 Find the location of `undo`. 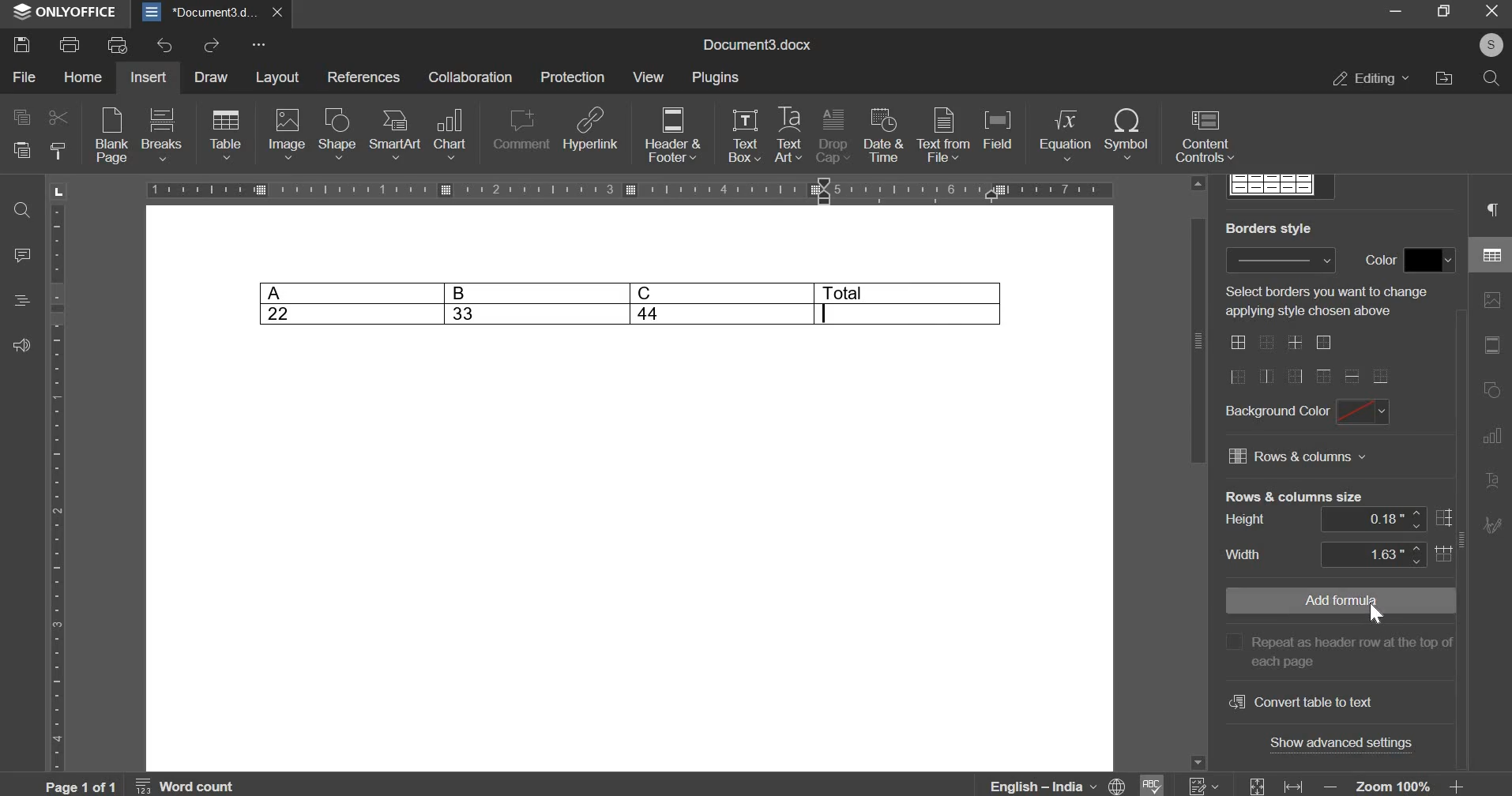

undo is located at coordinates (169, 46).